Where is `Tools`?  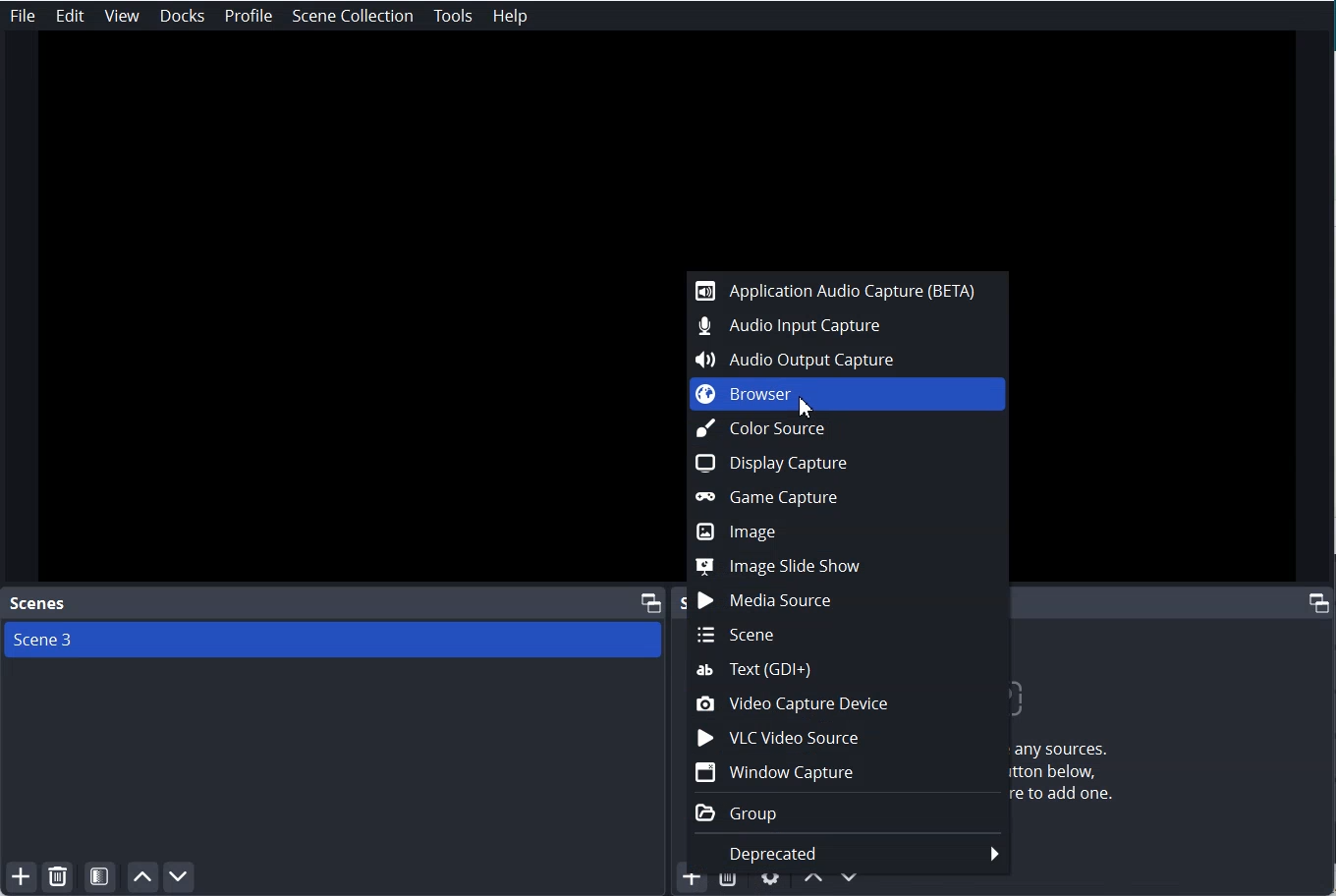
Tools is located at coordinates (453, 17).